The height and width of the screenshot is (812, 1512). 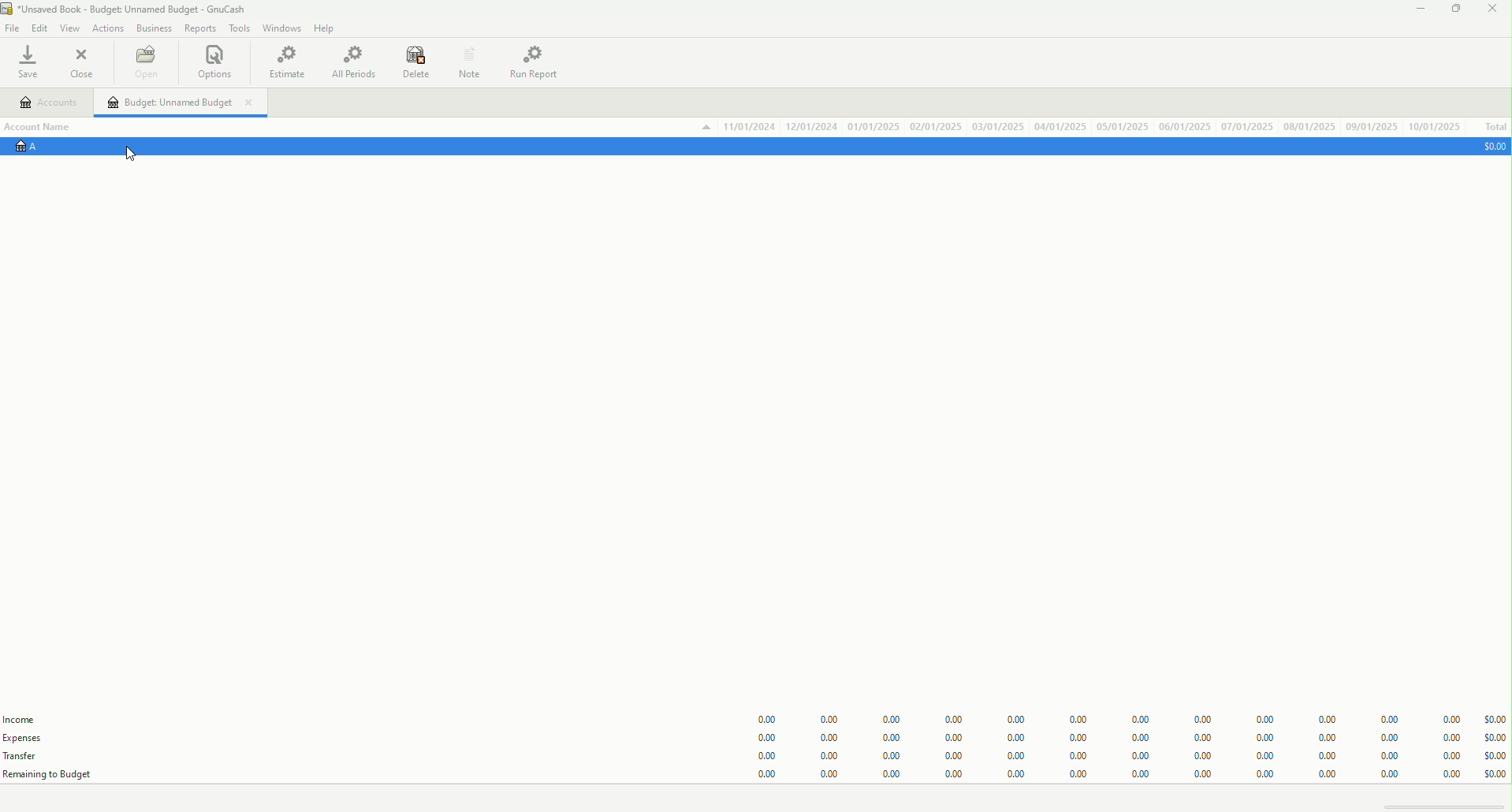 What do you see at coordinates (220, 63) in the screenshot?
I see `Options` at bounding box center [220, 63].